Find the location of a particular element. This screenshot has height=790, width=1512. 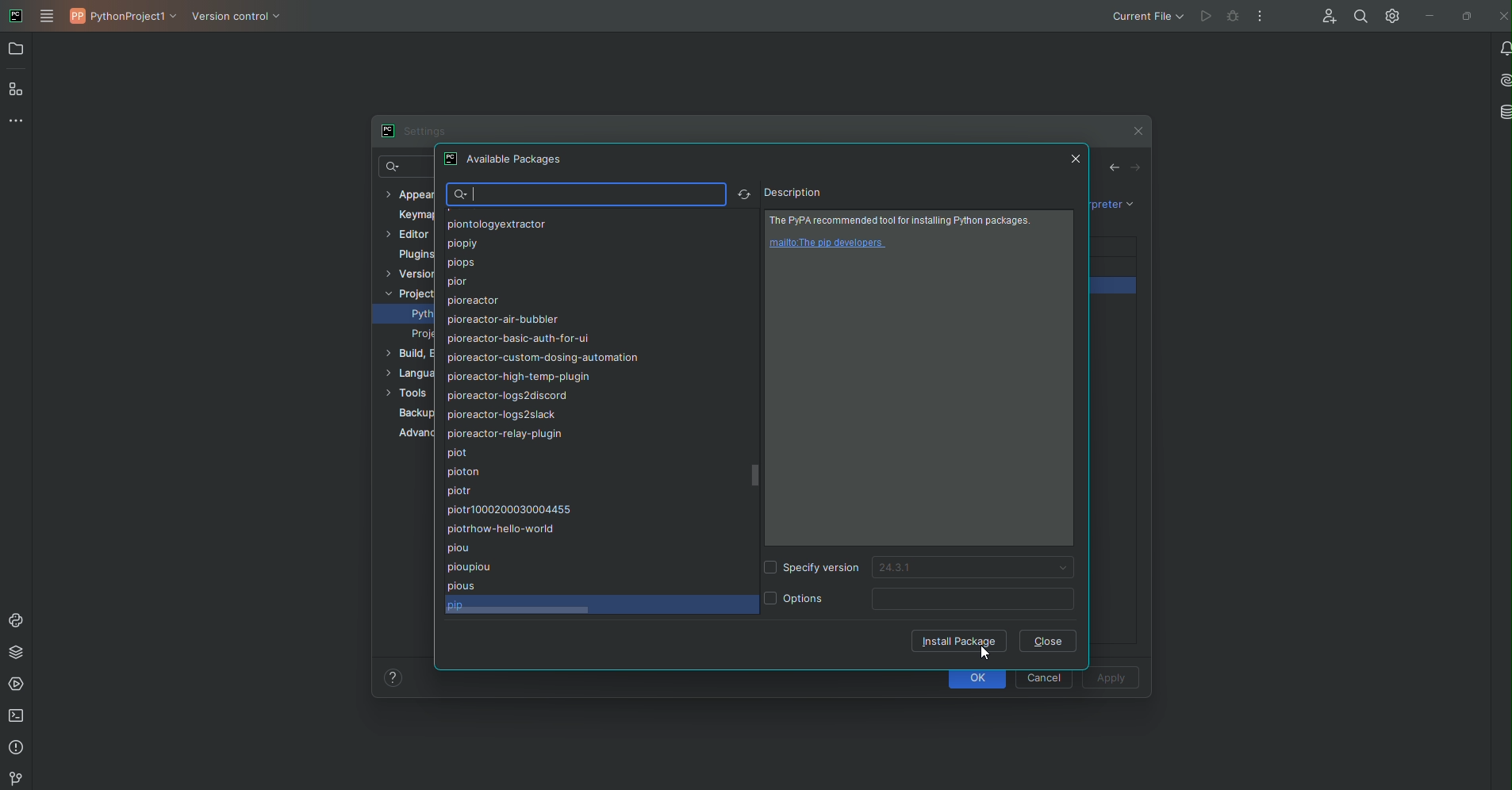

Backup and Sync is located at coordinates (415, 413).